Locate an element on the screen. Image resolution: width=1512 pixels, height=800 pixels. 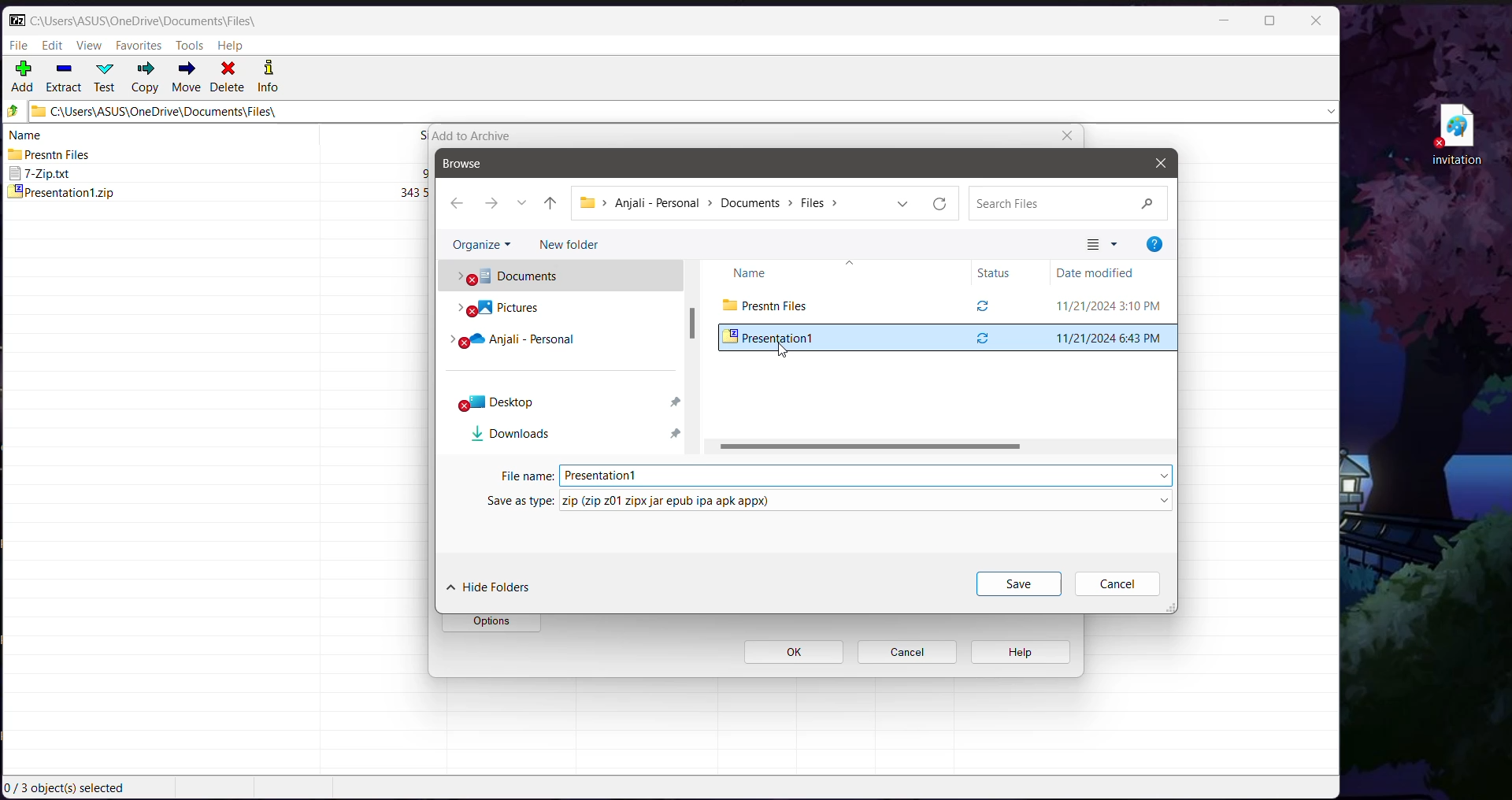
Edit is located at coordinates (54, 45).